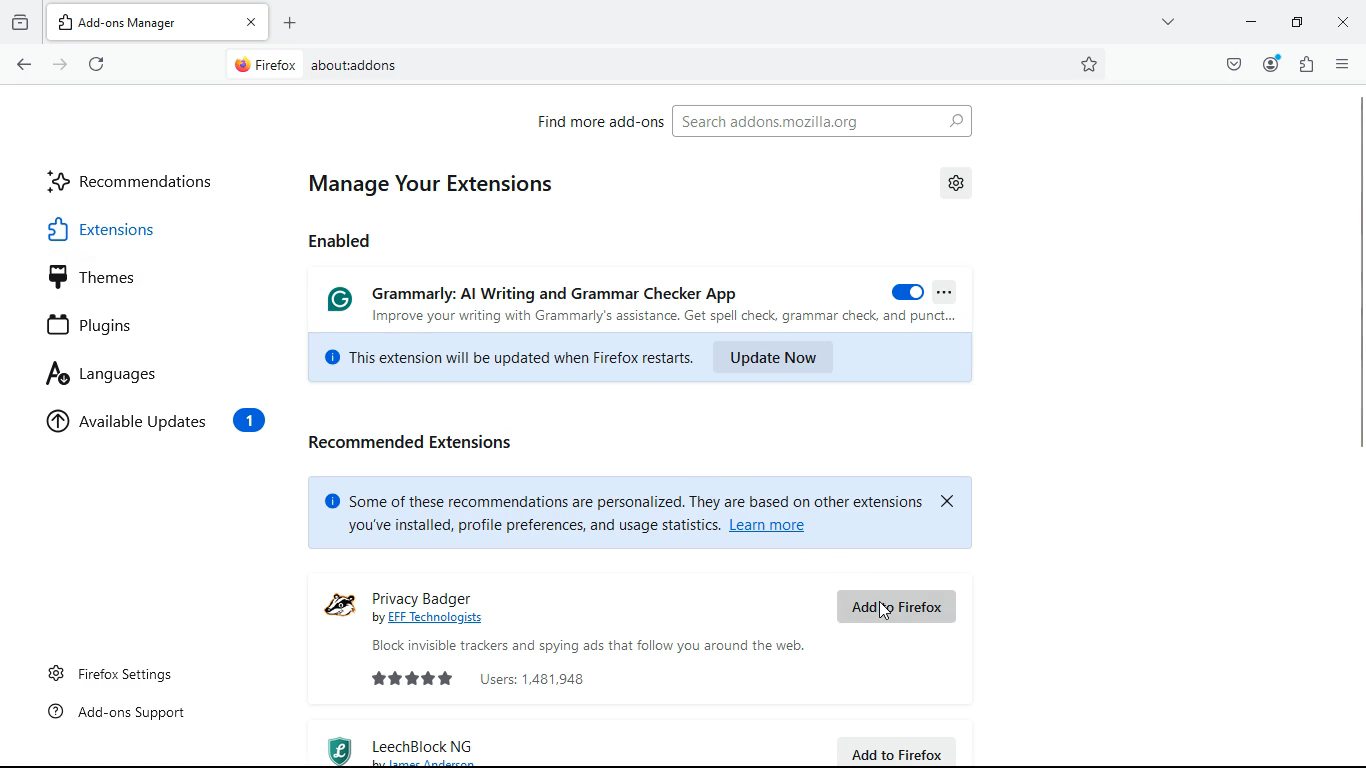 The image size is (1366, 768). I want to click on Grammarly: Al Writing and Grammar Checker App, so click(559, 291).